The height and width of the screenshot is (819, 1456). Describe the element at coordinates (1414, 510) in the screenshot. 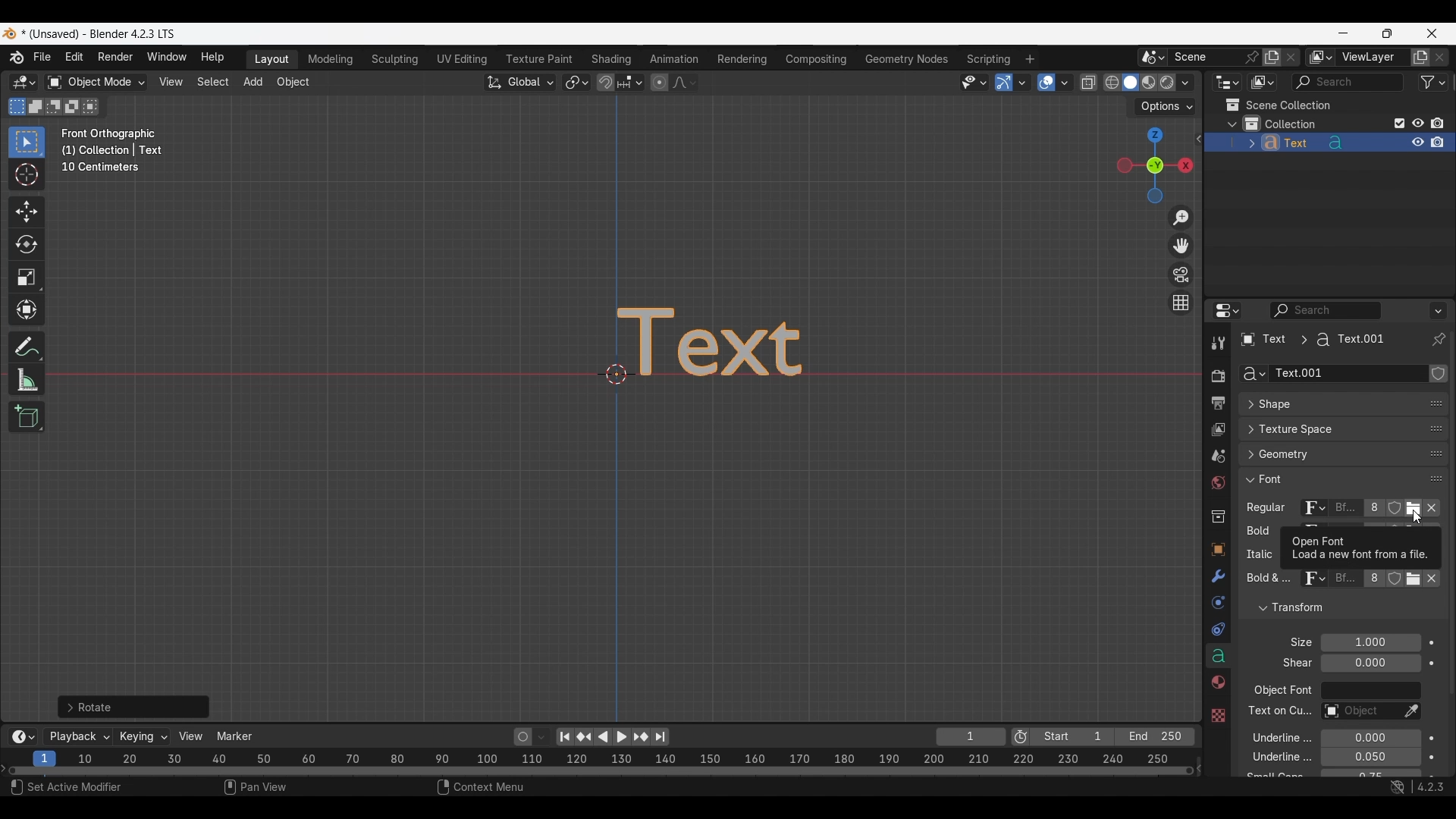

I see `Open Font for respective attribute` at that location.